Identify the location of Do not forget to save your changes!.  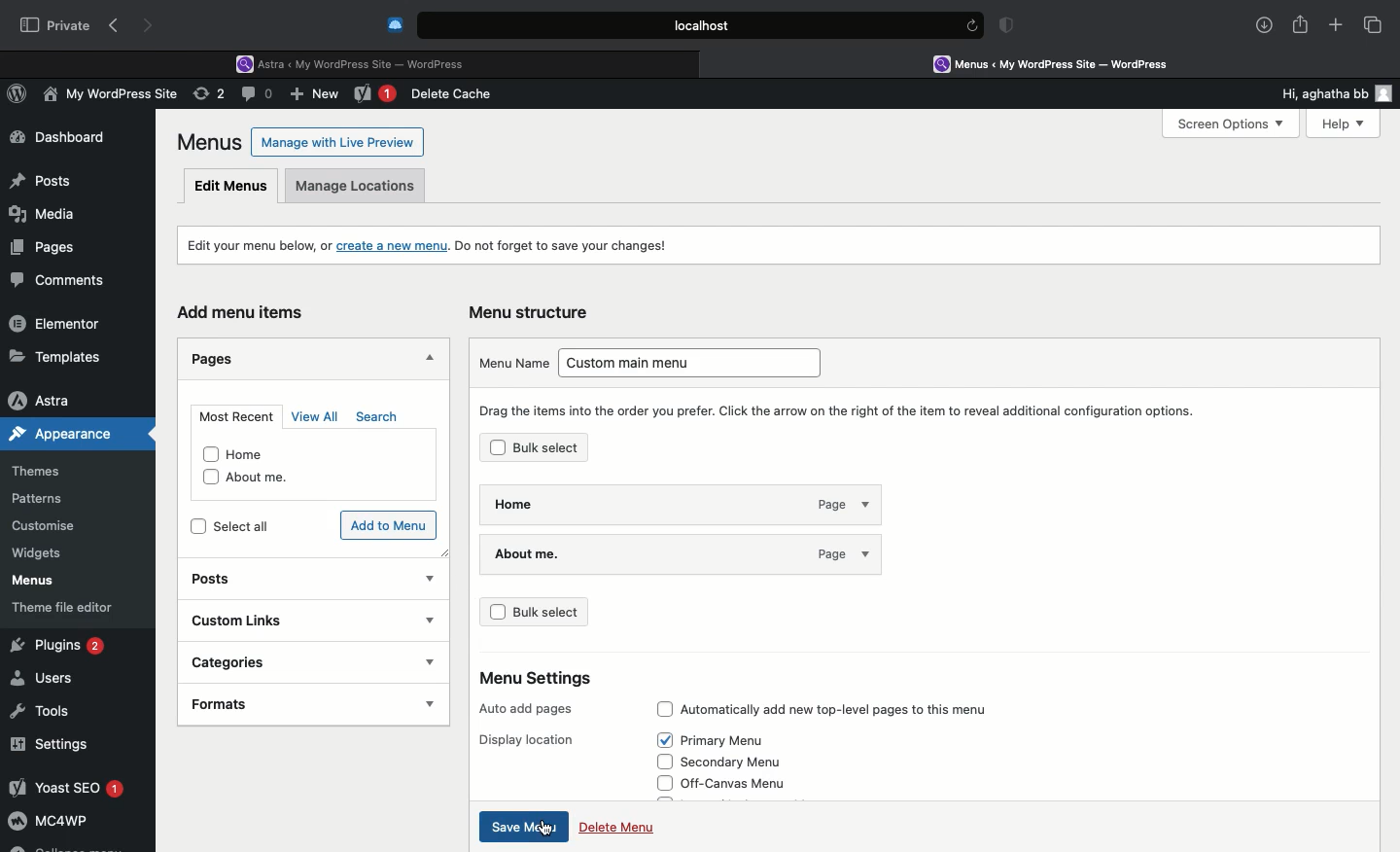
(565, 246).